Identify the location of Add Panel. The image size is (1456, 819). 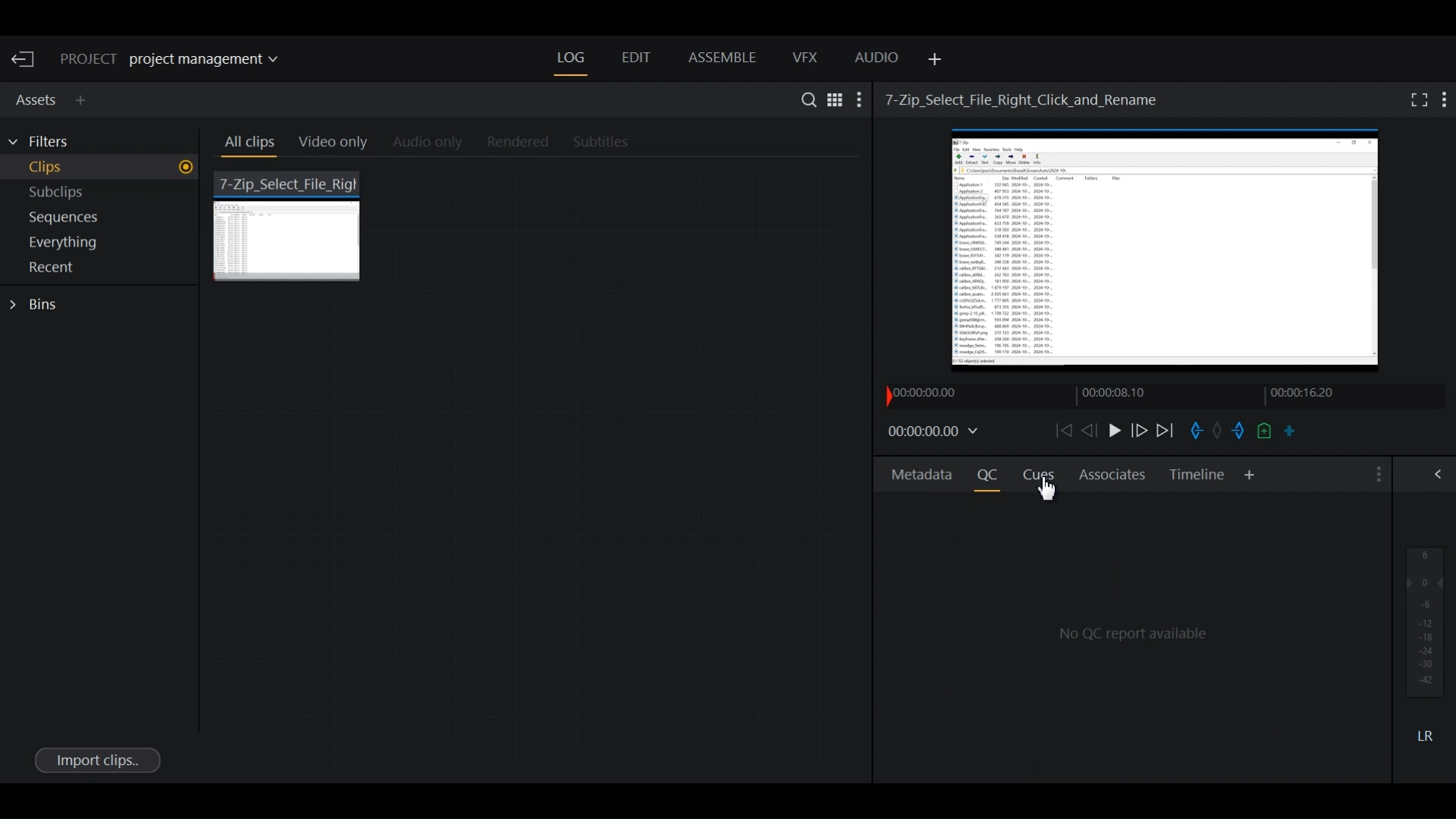
(84, 100).